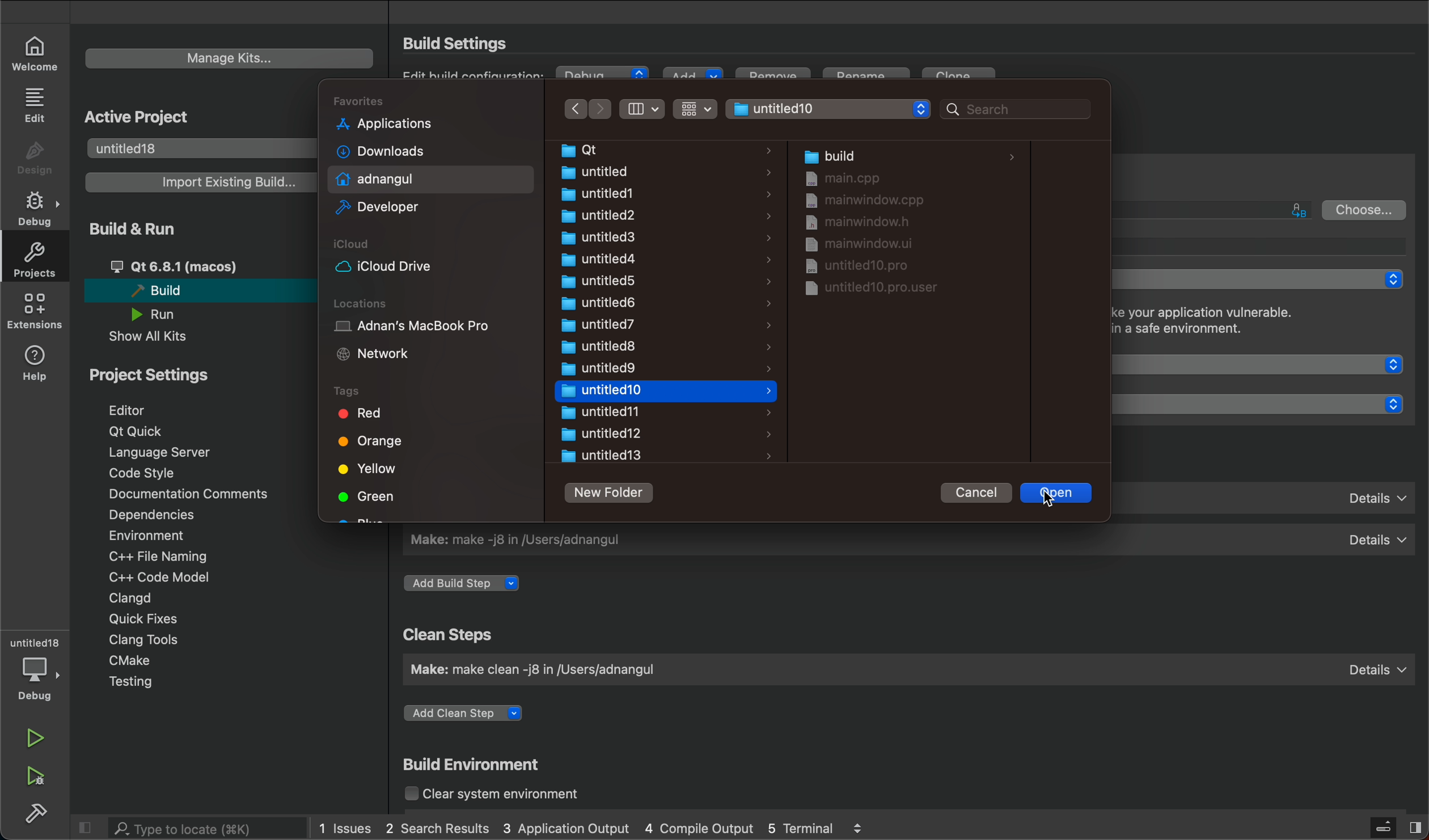 The image size is (1429, 840). What do you see at coordinates (829, 154) in the screenshot?
I see `build` at bounding box center [829, 154].